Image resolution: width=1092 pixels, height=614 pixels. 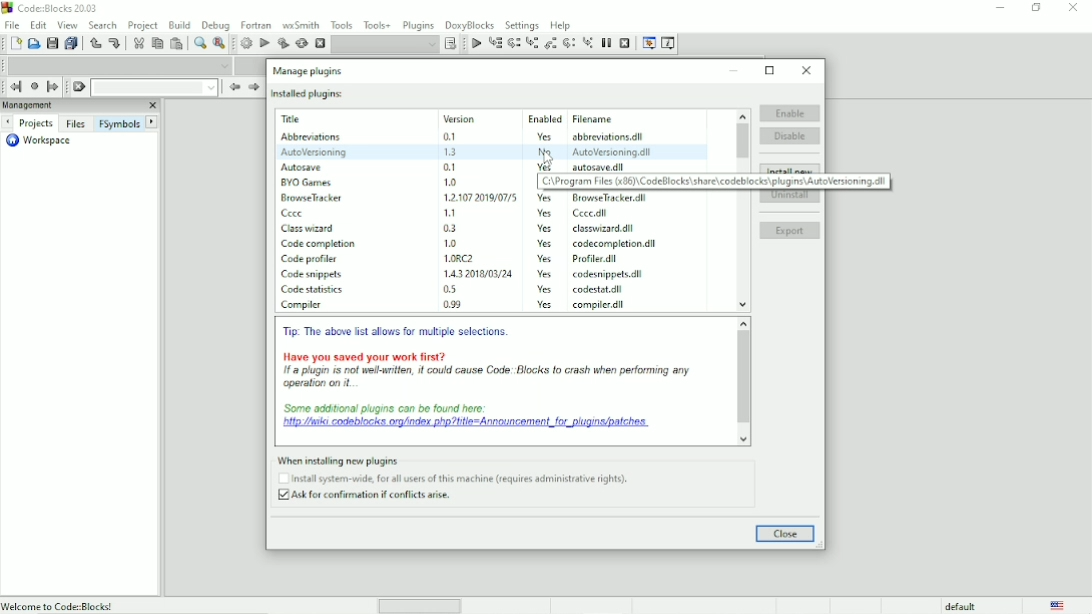 What do you see at coordinates (77, 123) in the screenshot?
I see `Files` at bounding box center [77, 123].